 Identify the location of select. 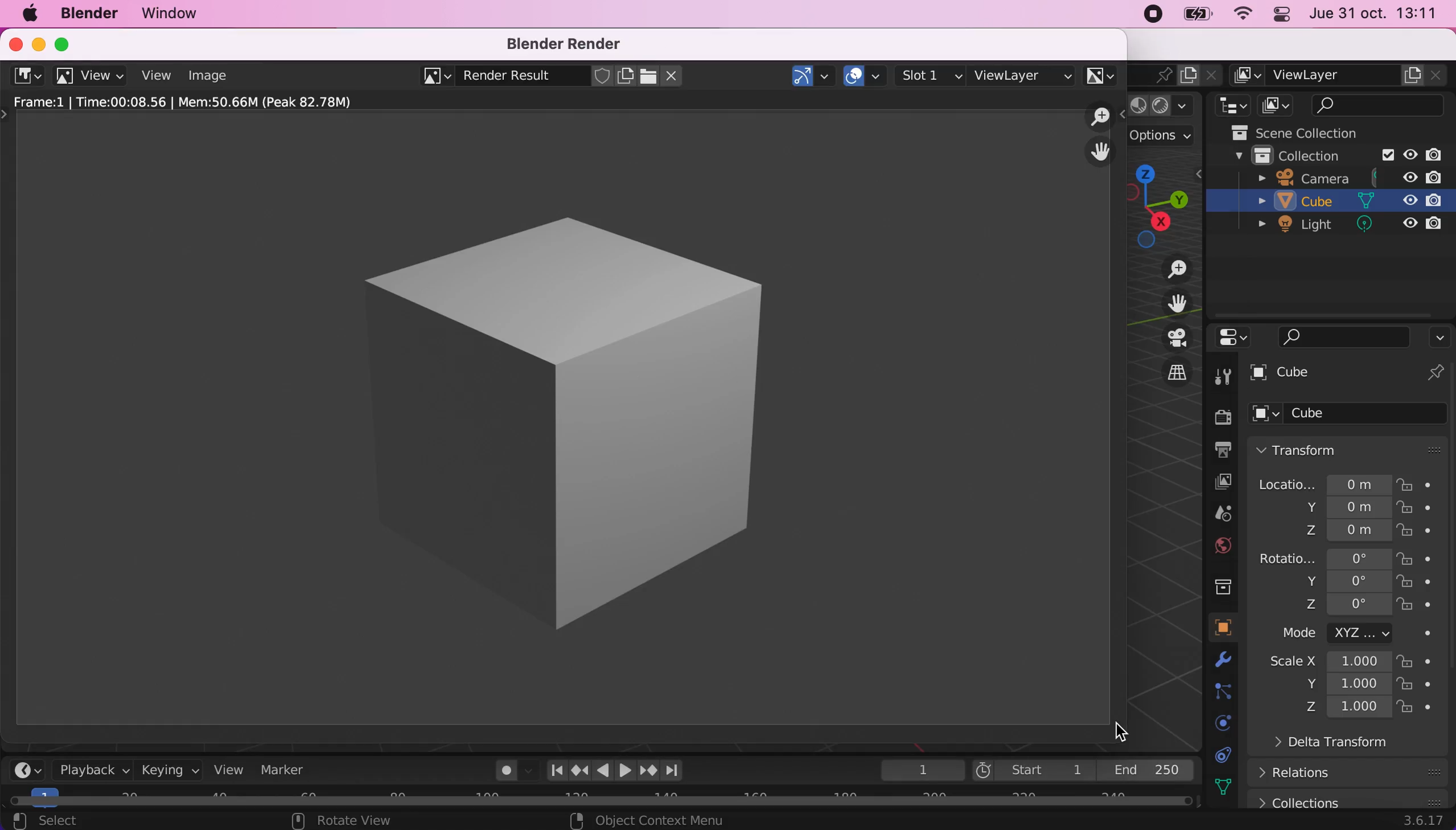
(85, 820).